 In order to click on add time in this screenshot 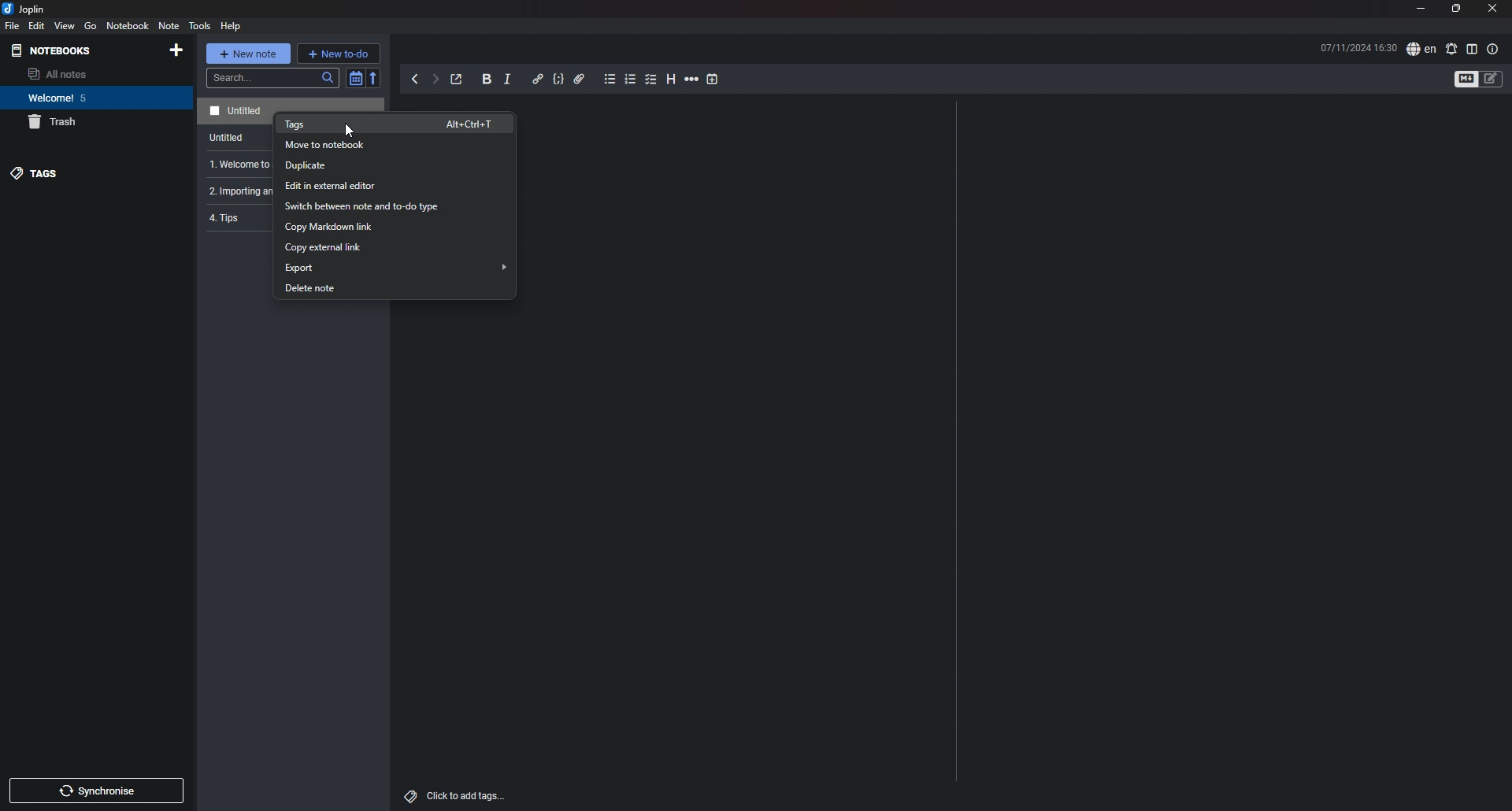, I will do `click(713, 79)`.